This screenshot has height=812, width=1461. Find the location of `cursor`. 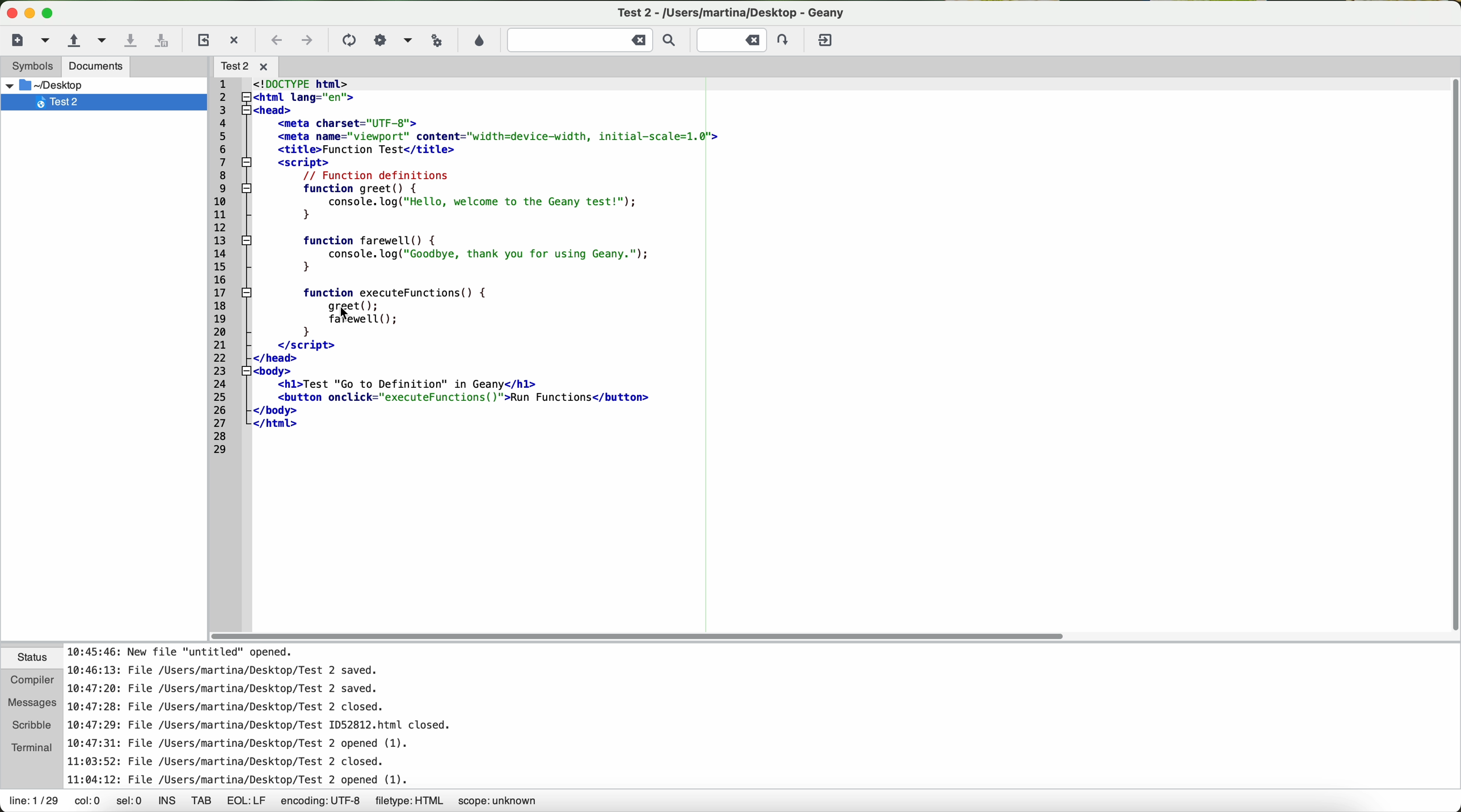

cursor is located at coordinates (343, 316).